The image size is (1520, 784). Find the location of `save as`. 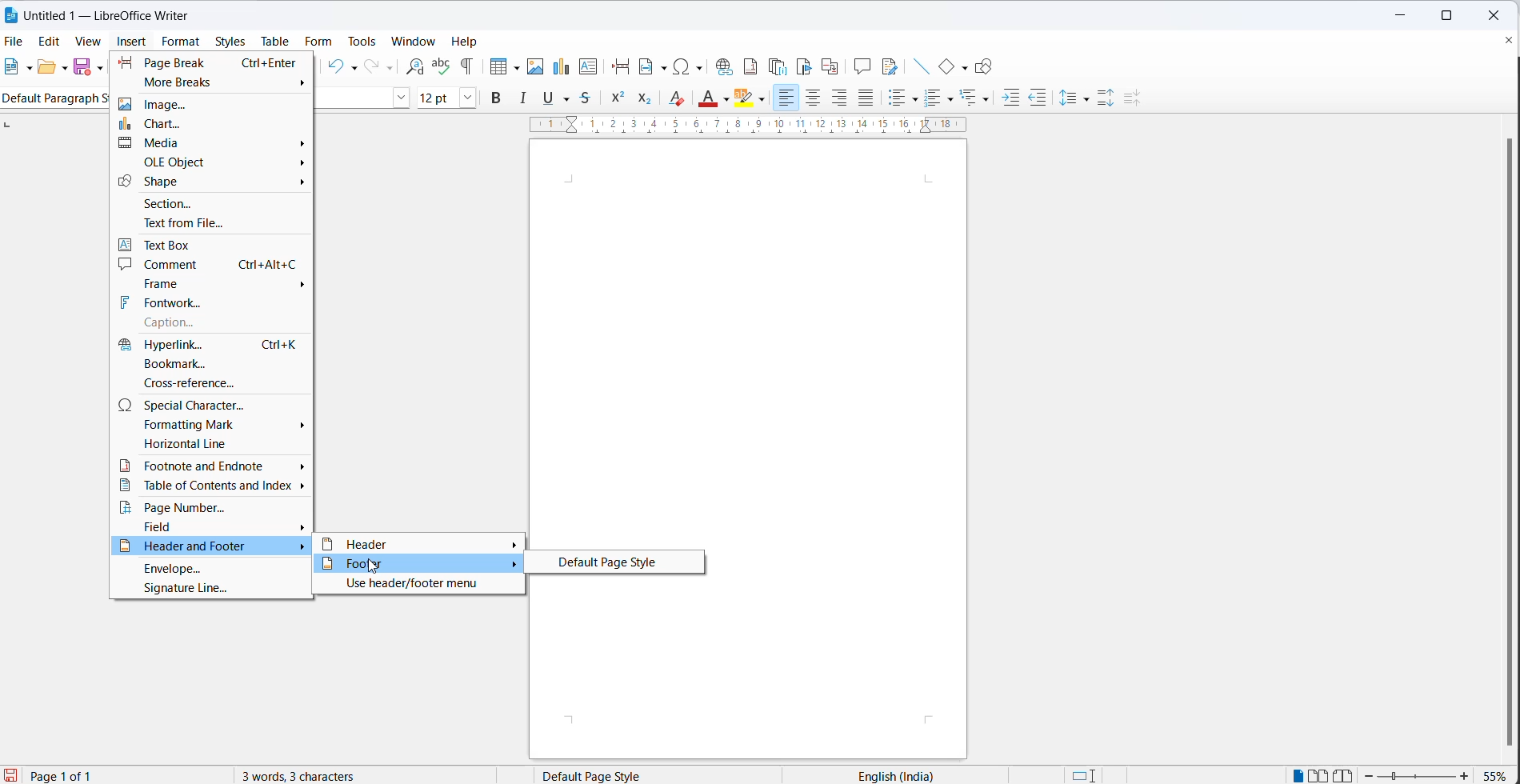

save as is located at coordinates (100, 68).